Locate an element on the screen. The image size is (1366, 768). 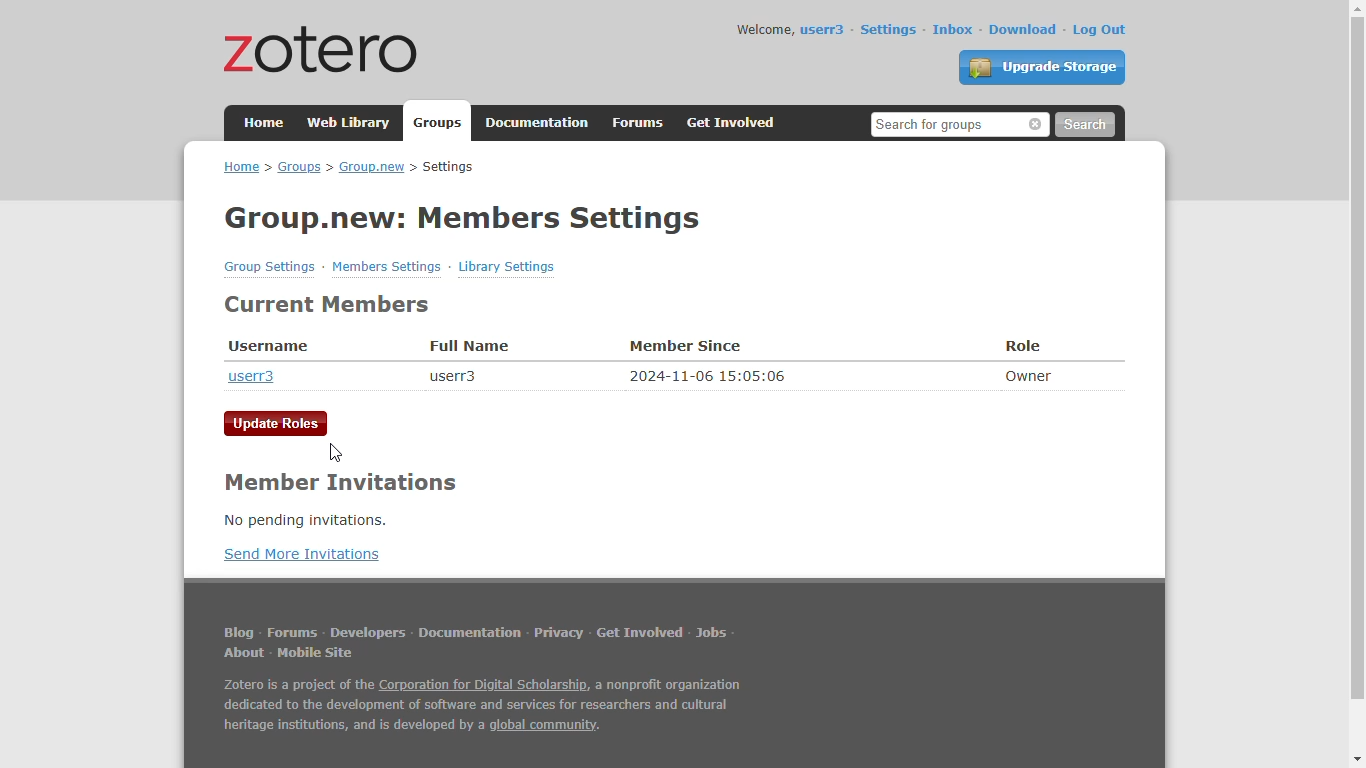
userr3 is located at coordinates (823, 30).